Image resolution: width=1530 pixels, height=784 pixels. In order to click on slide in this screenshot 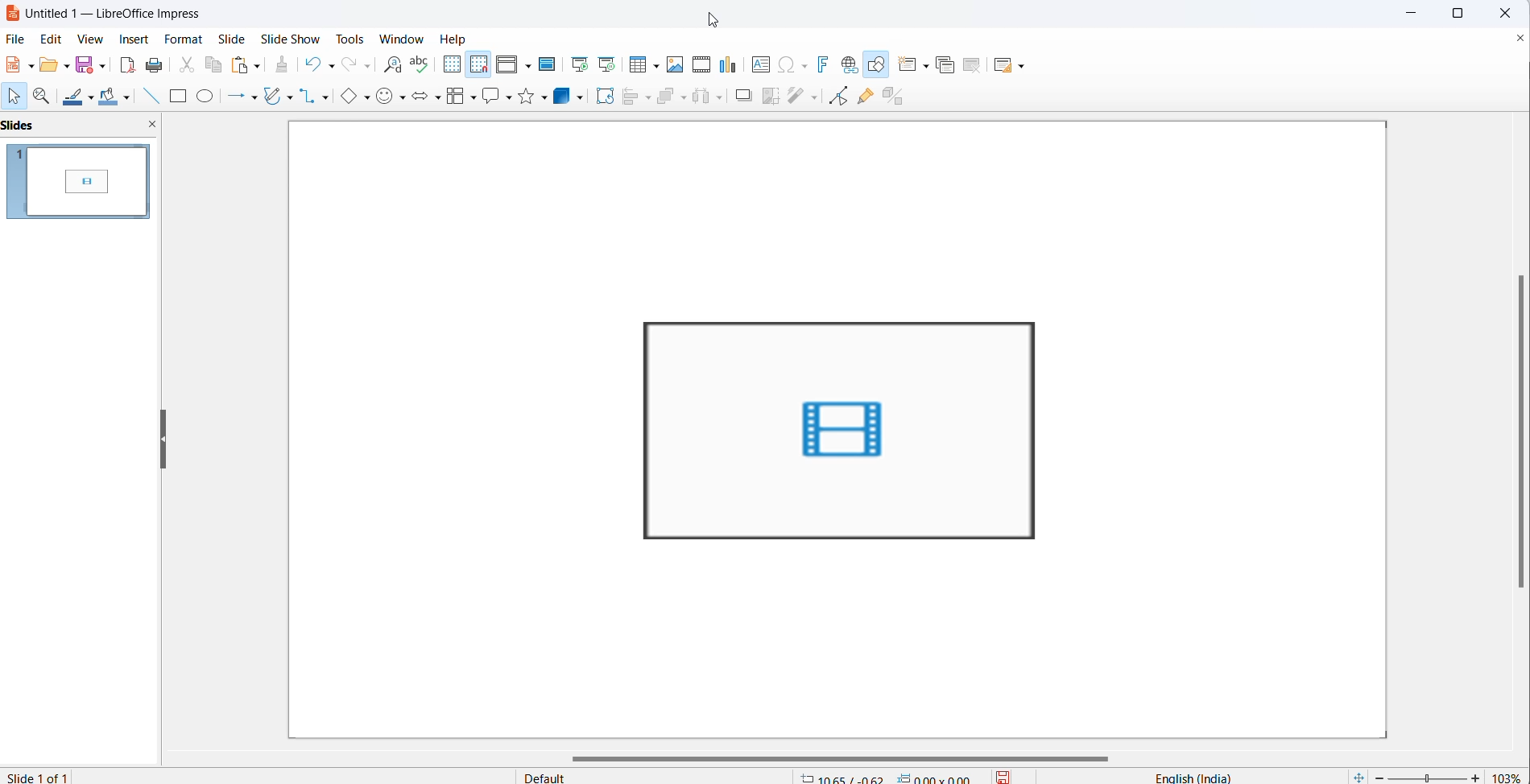, I will do `click(237, 39)`.